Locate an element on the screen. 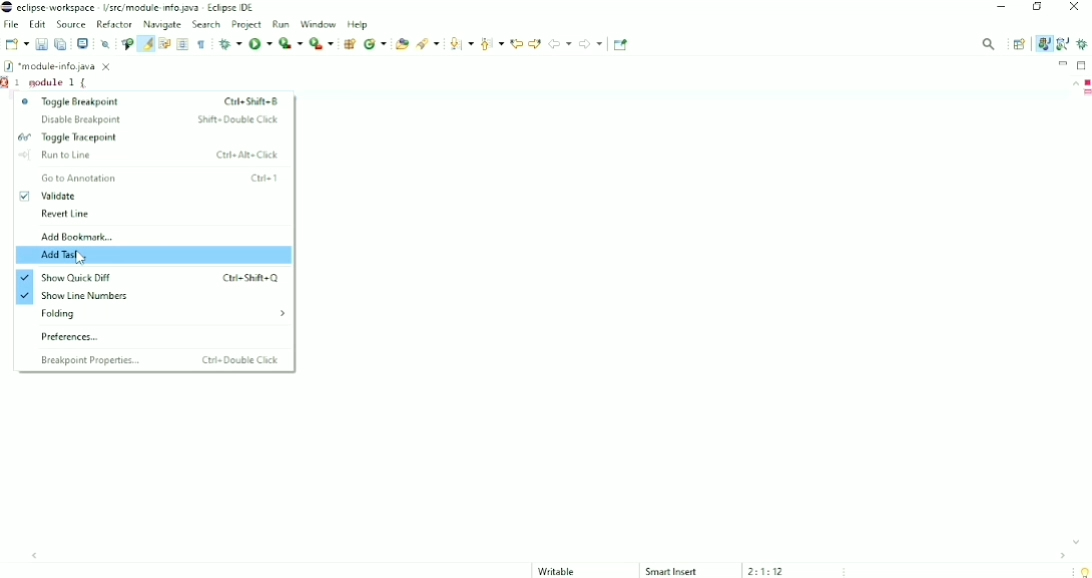 The image size is (1092, 578). Maximize is located at coordinates (1083, 64).